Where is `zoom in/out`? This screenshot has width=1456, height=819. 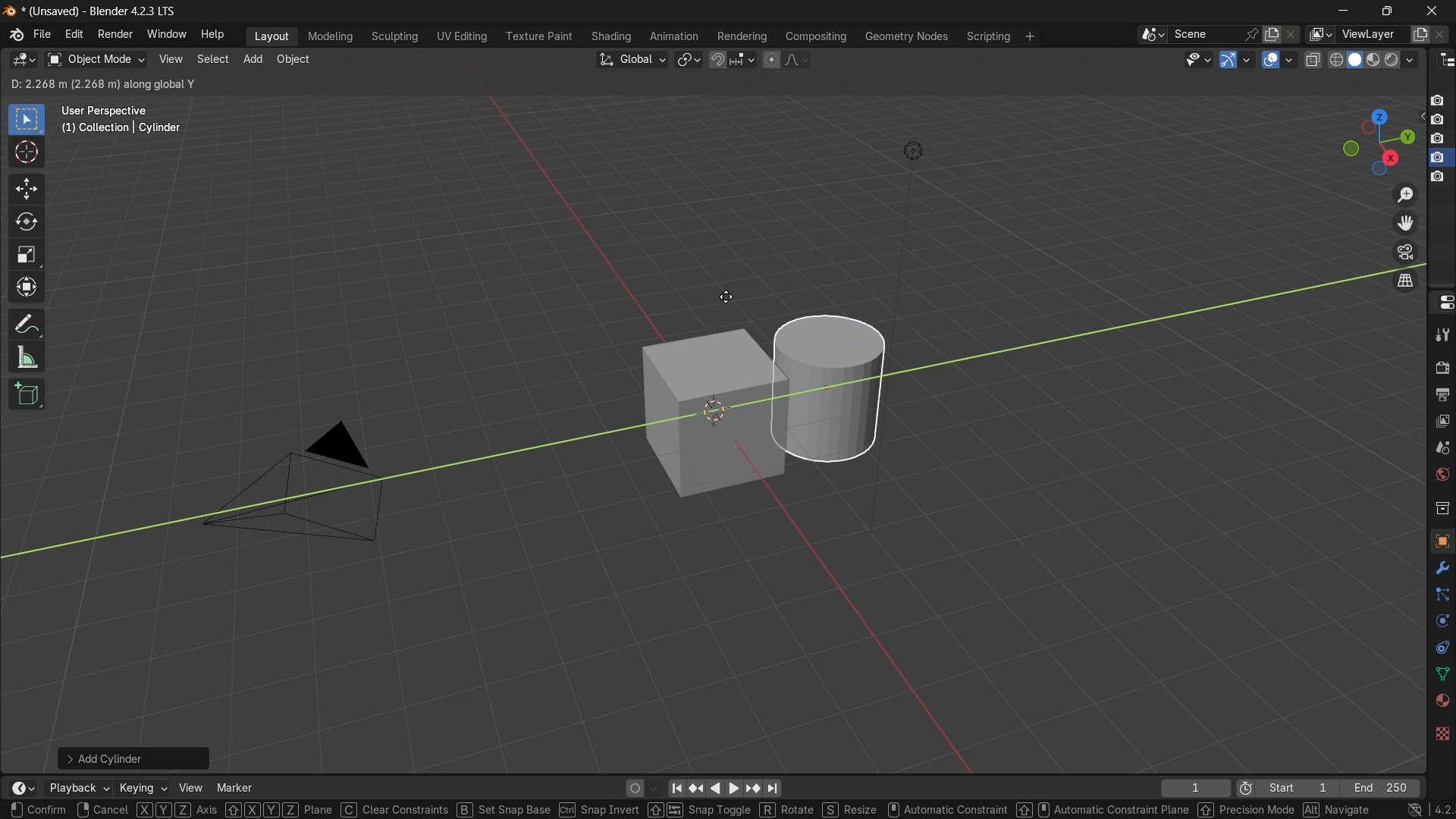
zoom in/out is located at coordinates (1405, 194).